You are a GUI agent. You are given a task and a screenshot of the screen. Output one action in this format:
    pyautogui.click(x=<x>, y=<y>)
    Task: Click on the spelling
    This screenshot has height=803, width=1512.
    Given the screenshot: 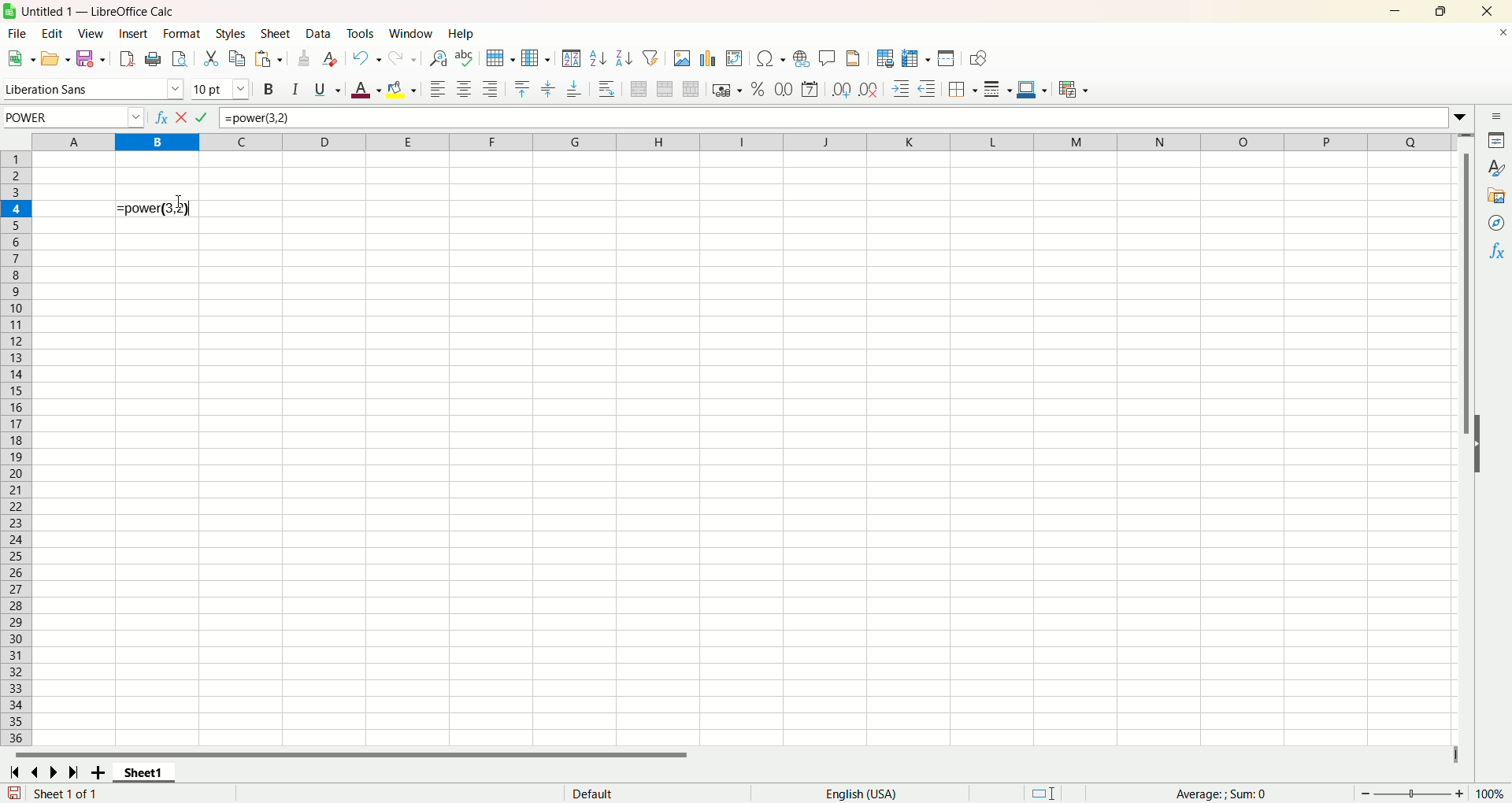 What is the action you would take?
    pyautogui.click(x=464, y=59)
    